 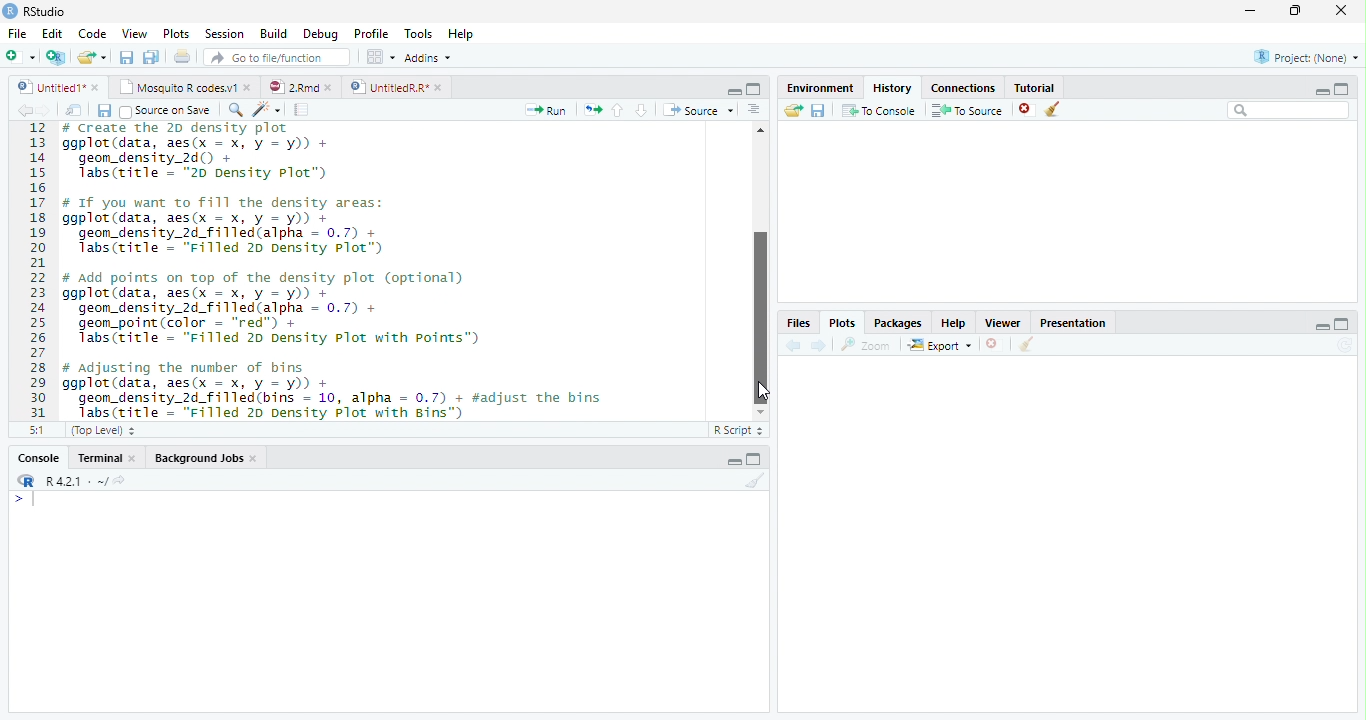 What do you see at coordinates (698, 110) in the screenshot?
I see `Source` at bounding box center [698, 110].